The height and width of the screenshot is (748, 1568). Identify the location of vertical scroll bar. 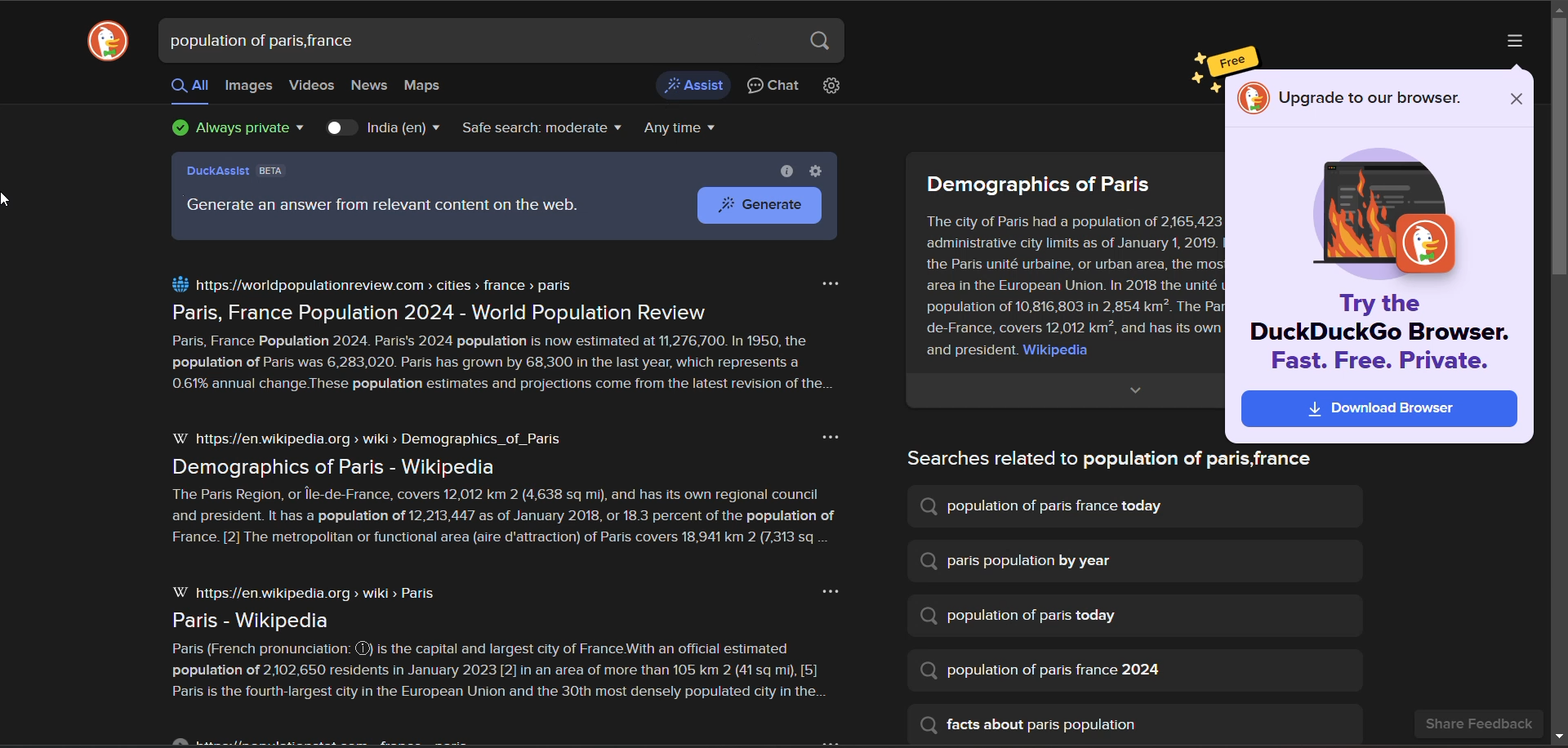
(1558, 375).